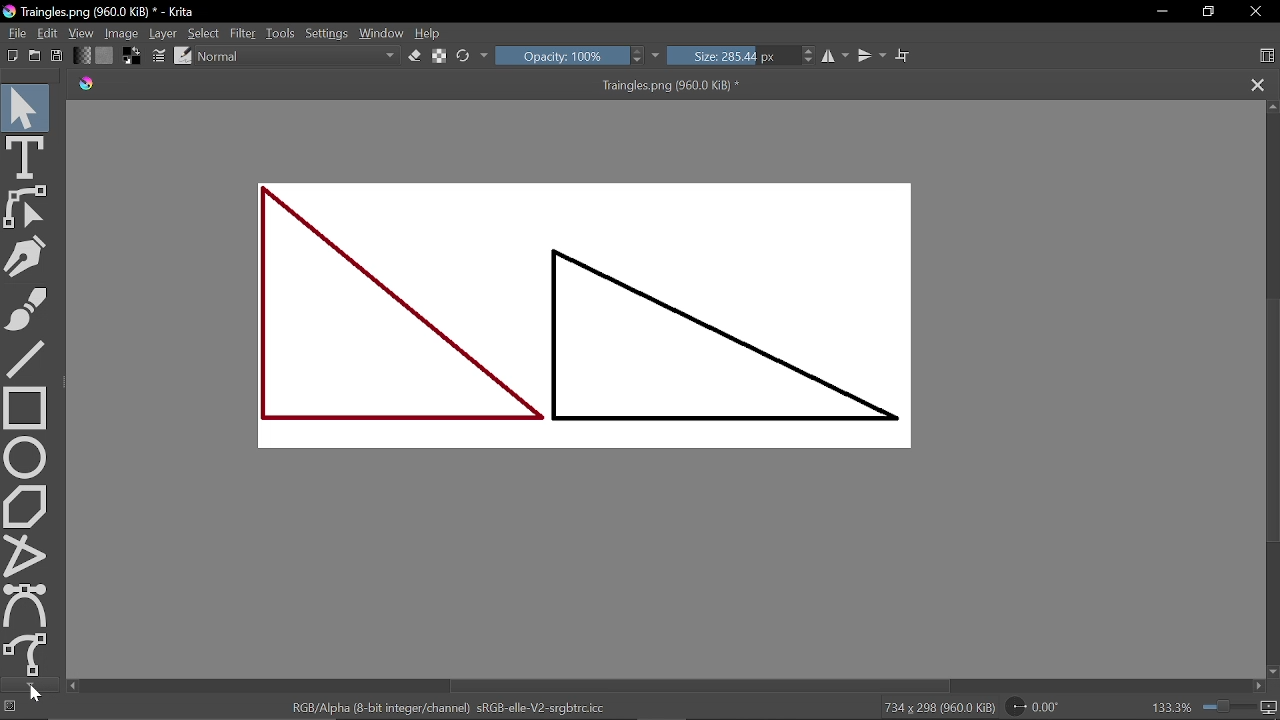 This screenshot has width=1280, height=720. What do you see at coordinates (1162, 11) in the screenshot?
I see `Minimize` at bounding box center [1162, 11].